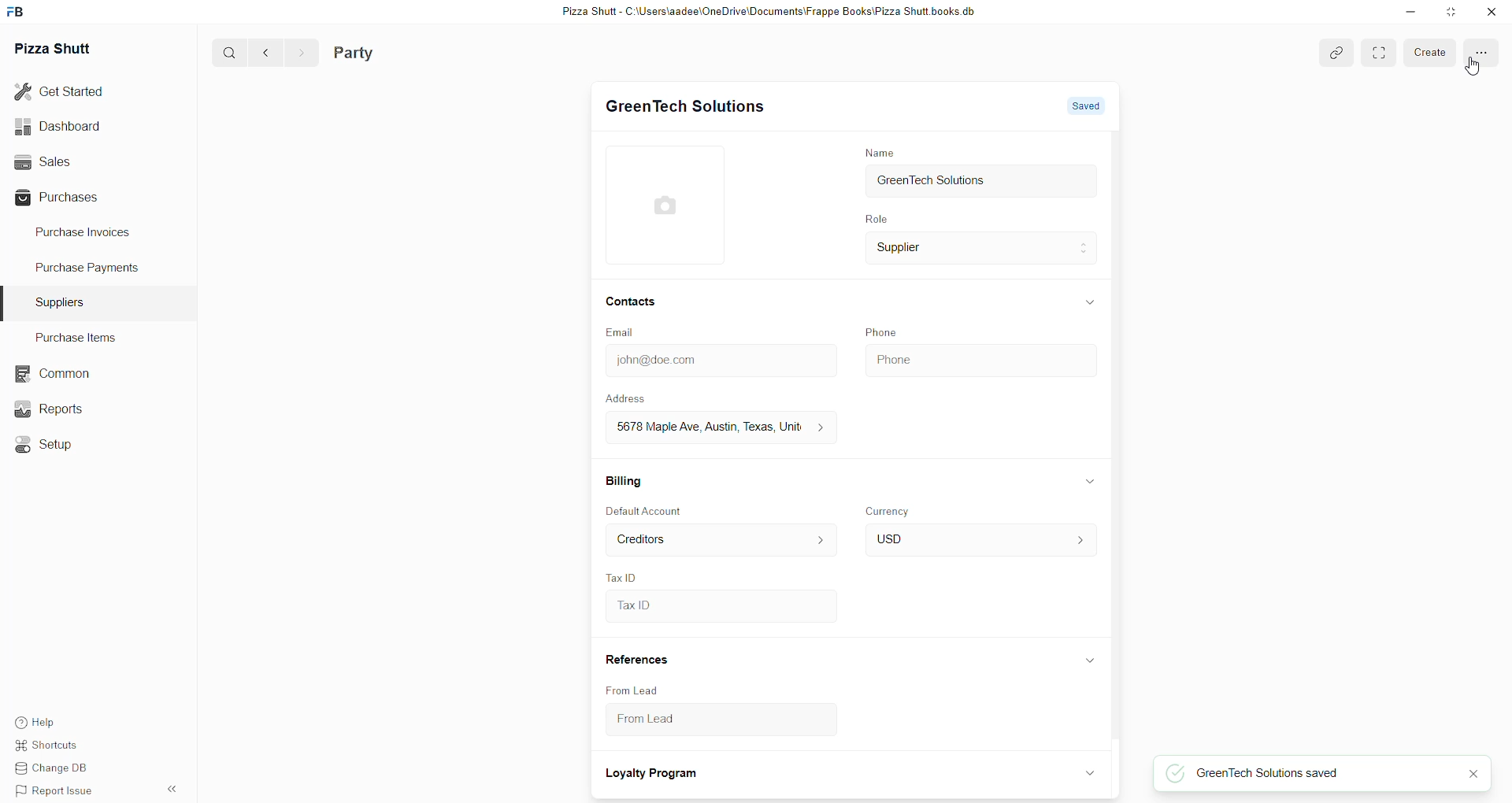 The height and width of the screenshot is (803, 1512). I want to click on john@doe.com, so click(717, 361).